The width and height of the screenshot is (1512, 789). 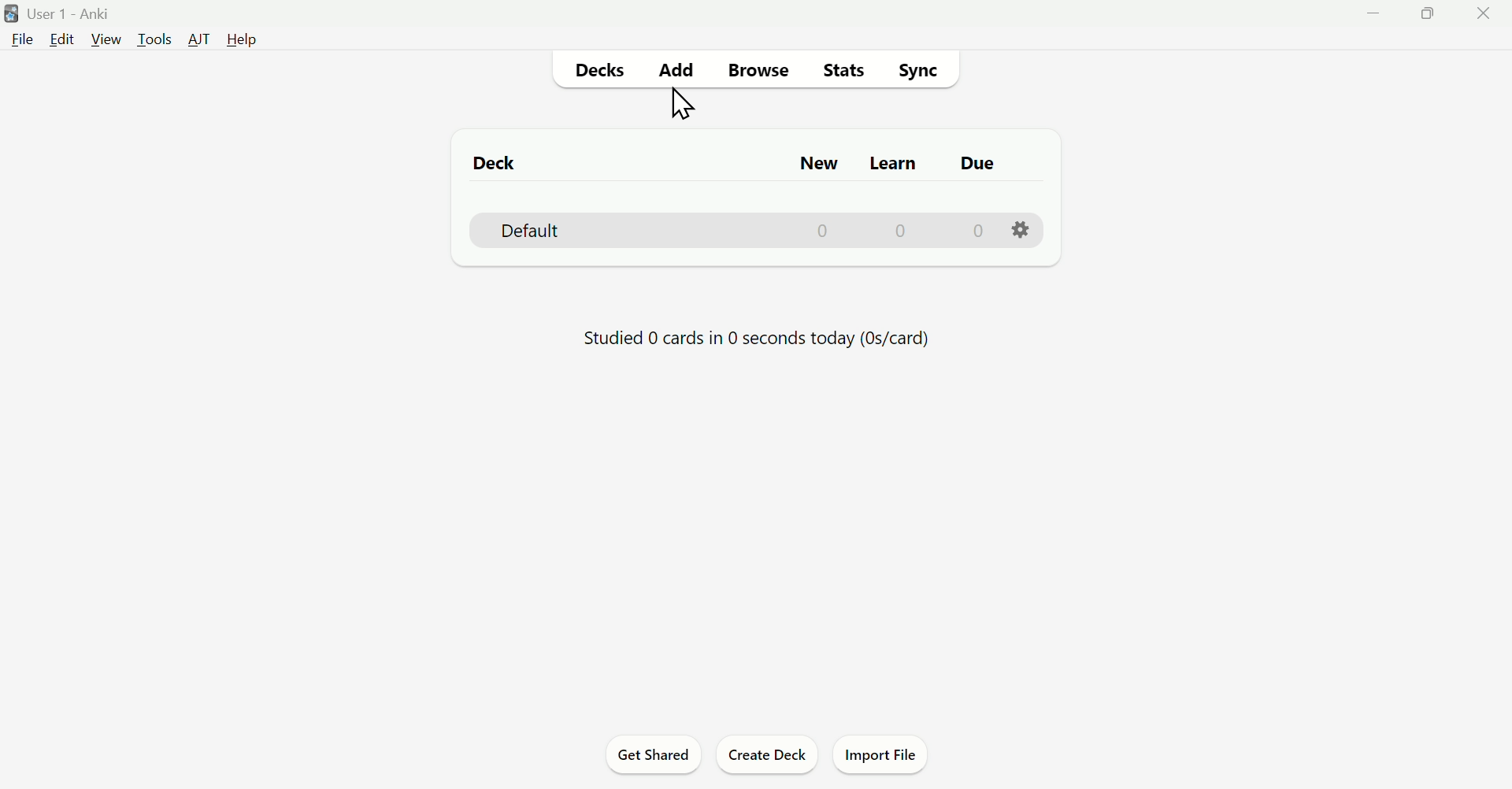 What do you see at coordinates (765, 757) in the screenshot?
I see `Create Deck` at bounding box center [765, 757].